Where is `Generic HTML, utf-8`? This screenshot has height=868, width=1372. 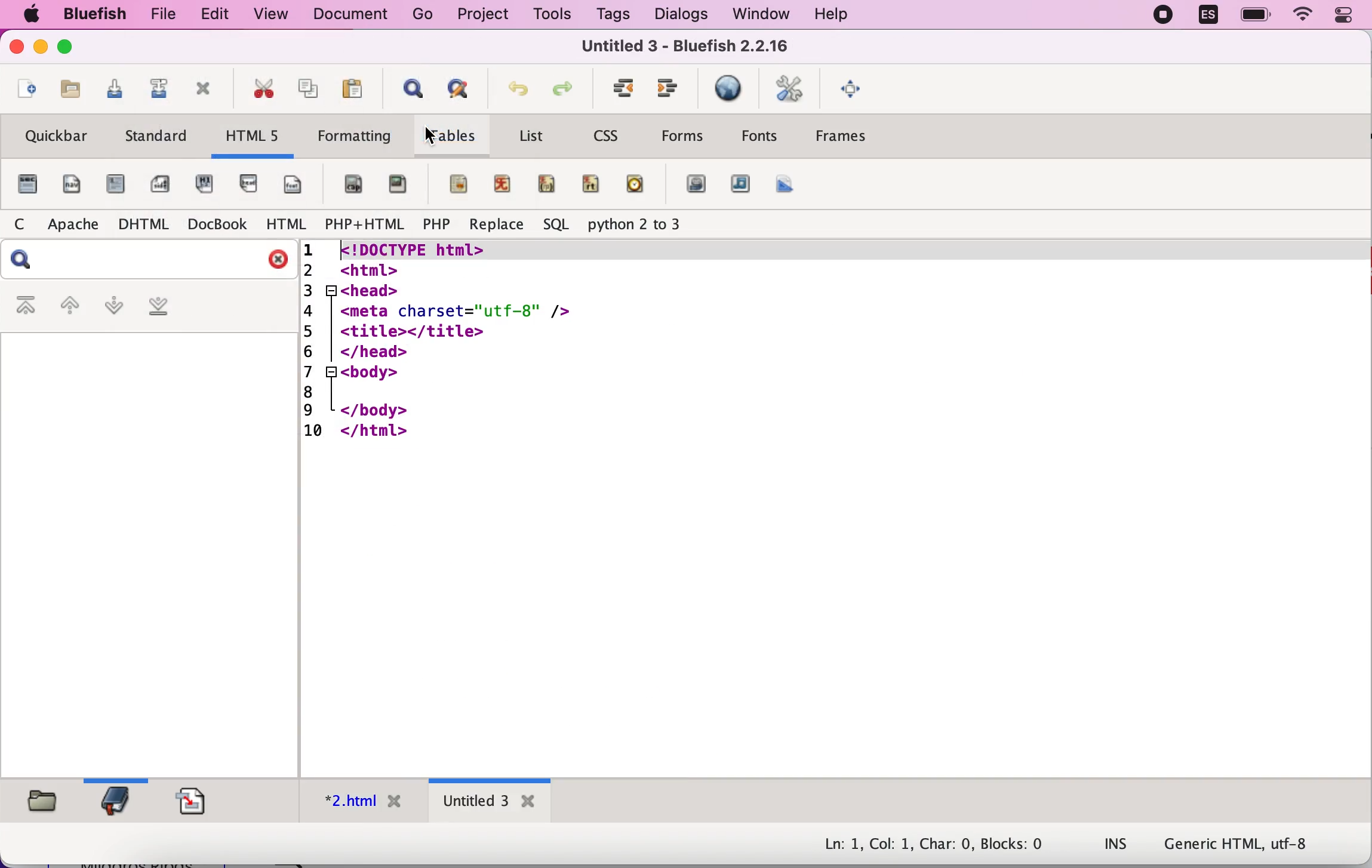
Generic HTML, utf-8 is located at coordinates (1236, 842).